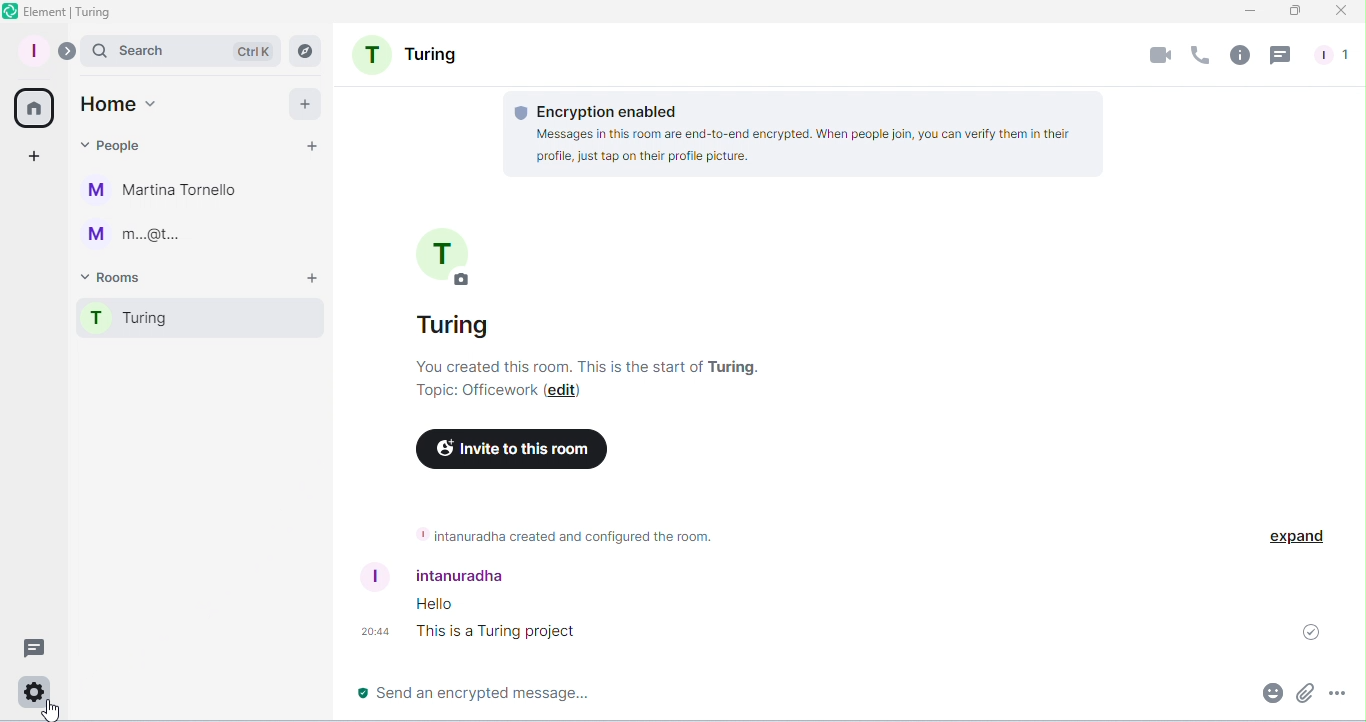 The image size is (1366, 722). What do you see at coordinates (1280, 56) in the screenshot?
I see `Threads` at bounding box center [1280, 56].